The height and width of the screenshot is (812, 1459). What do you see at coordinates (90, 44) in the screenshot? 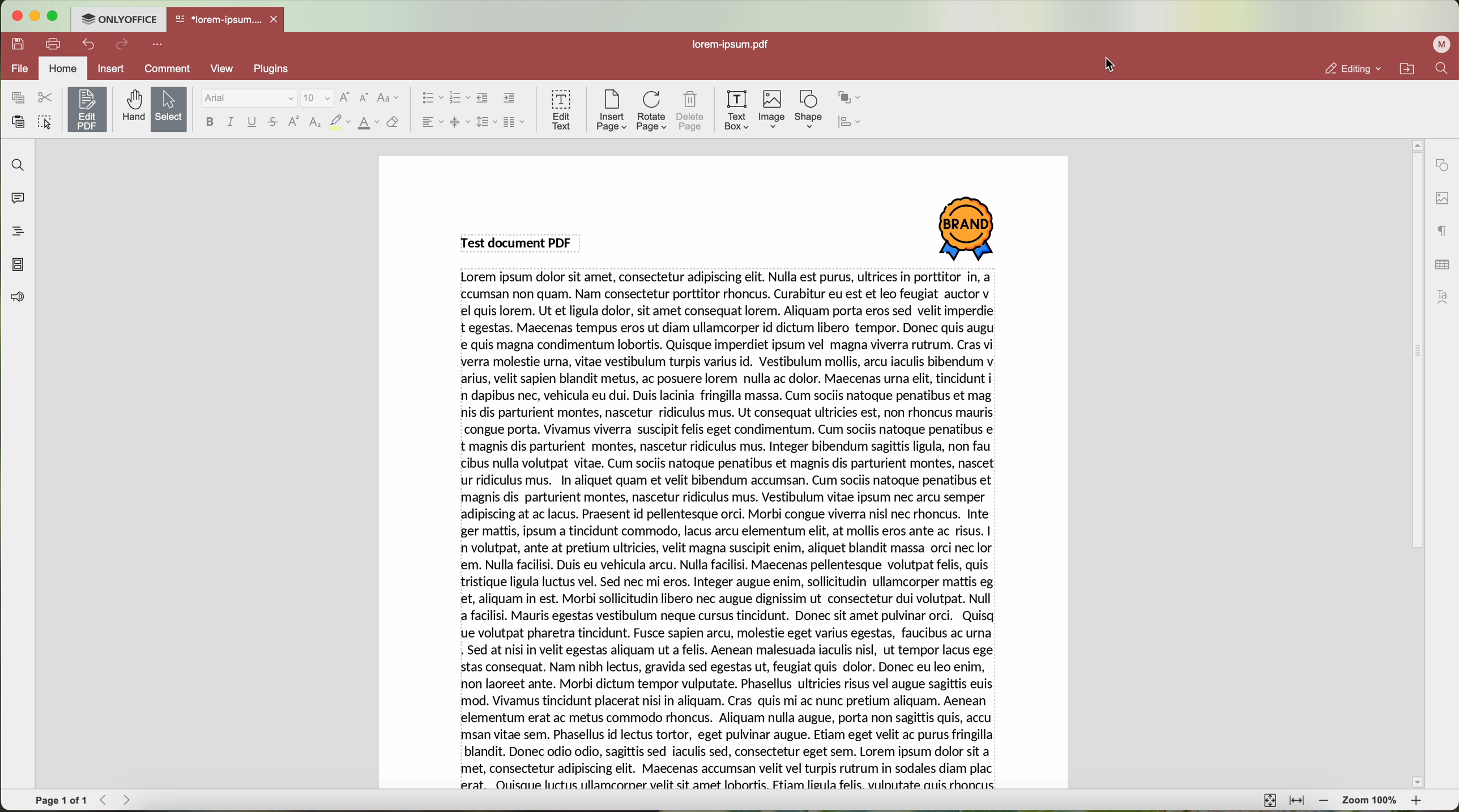
I see `undo` at bounding box center [90, 44].